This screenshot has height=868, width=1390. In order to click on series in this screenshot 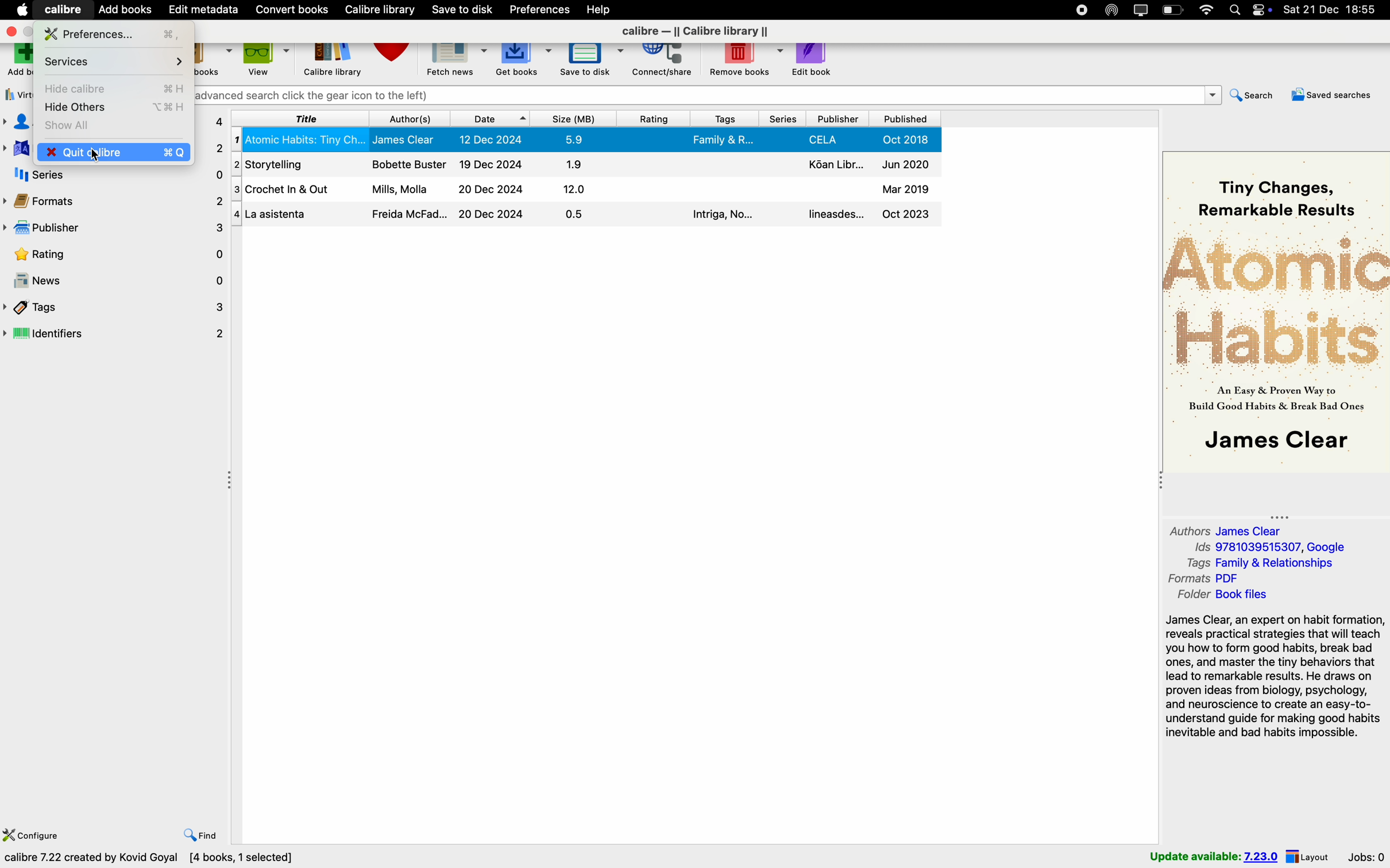, I will do `click(782, 119)`.